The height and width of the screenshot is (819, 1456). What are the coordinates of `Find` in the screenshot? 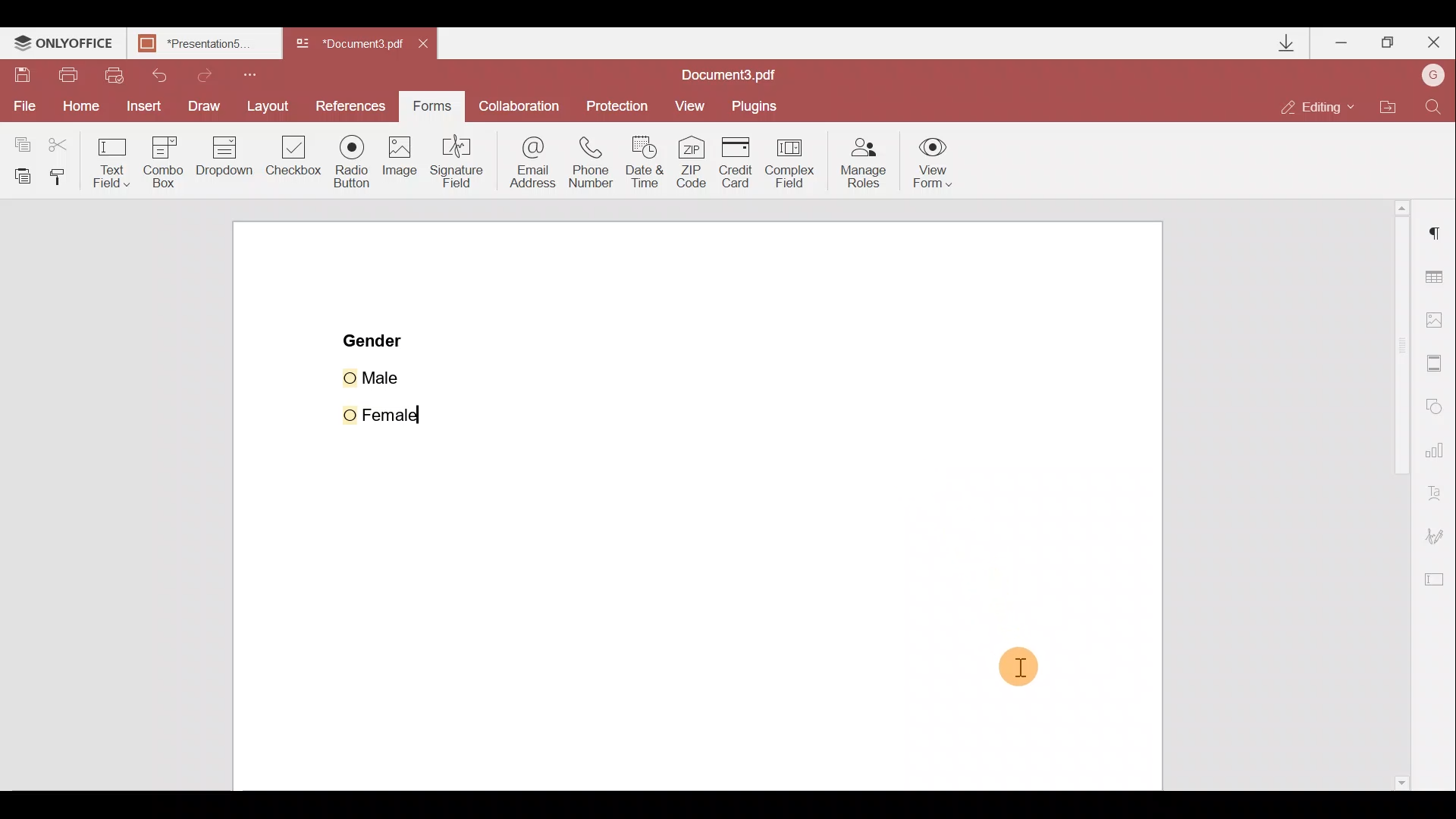 It's located at (1434, 104).